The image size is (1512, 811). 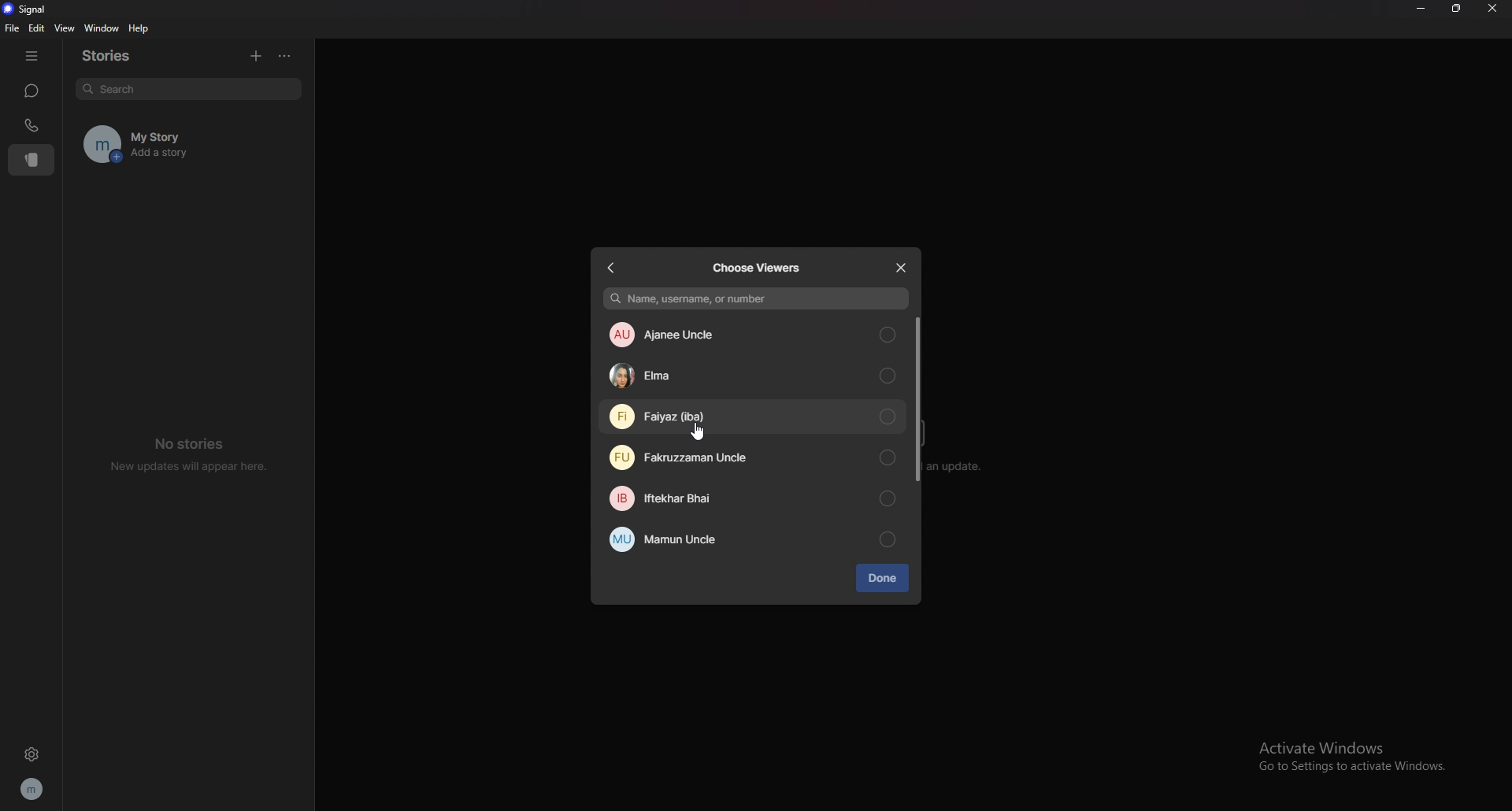 What do you see at coordinates (610, 269) in the screenshot?
I see `back` at bounding box center [610, 269].